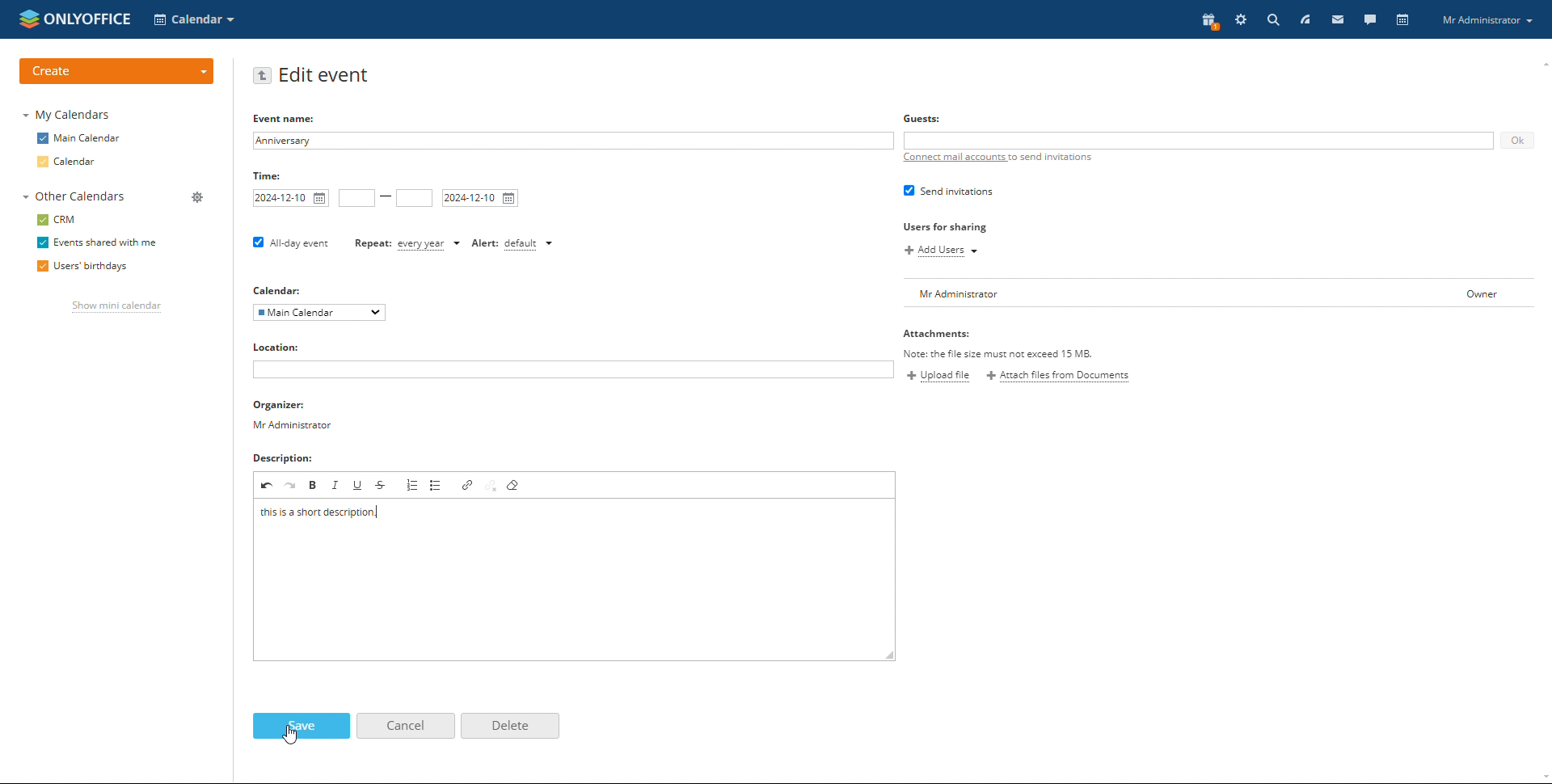  What do you see at coordinates (572, 369) in the screenshot?
I see `add location` at bounding box center [572, 369].